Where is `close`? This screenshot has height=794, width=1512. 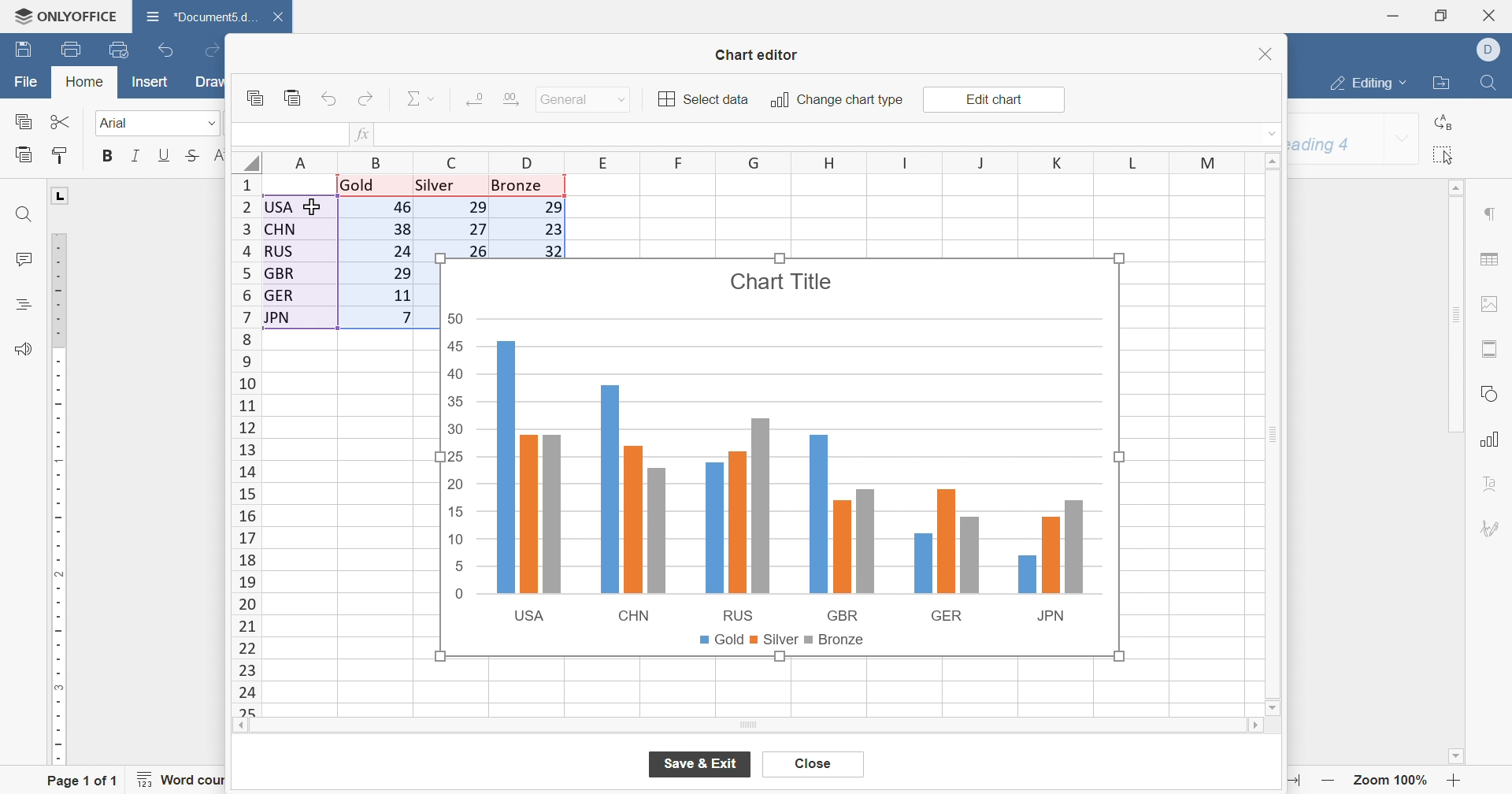
close is located at coordinates (1267, 54).